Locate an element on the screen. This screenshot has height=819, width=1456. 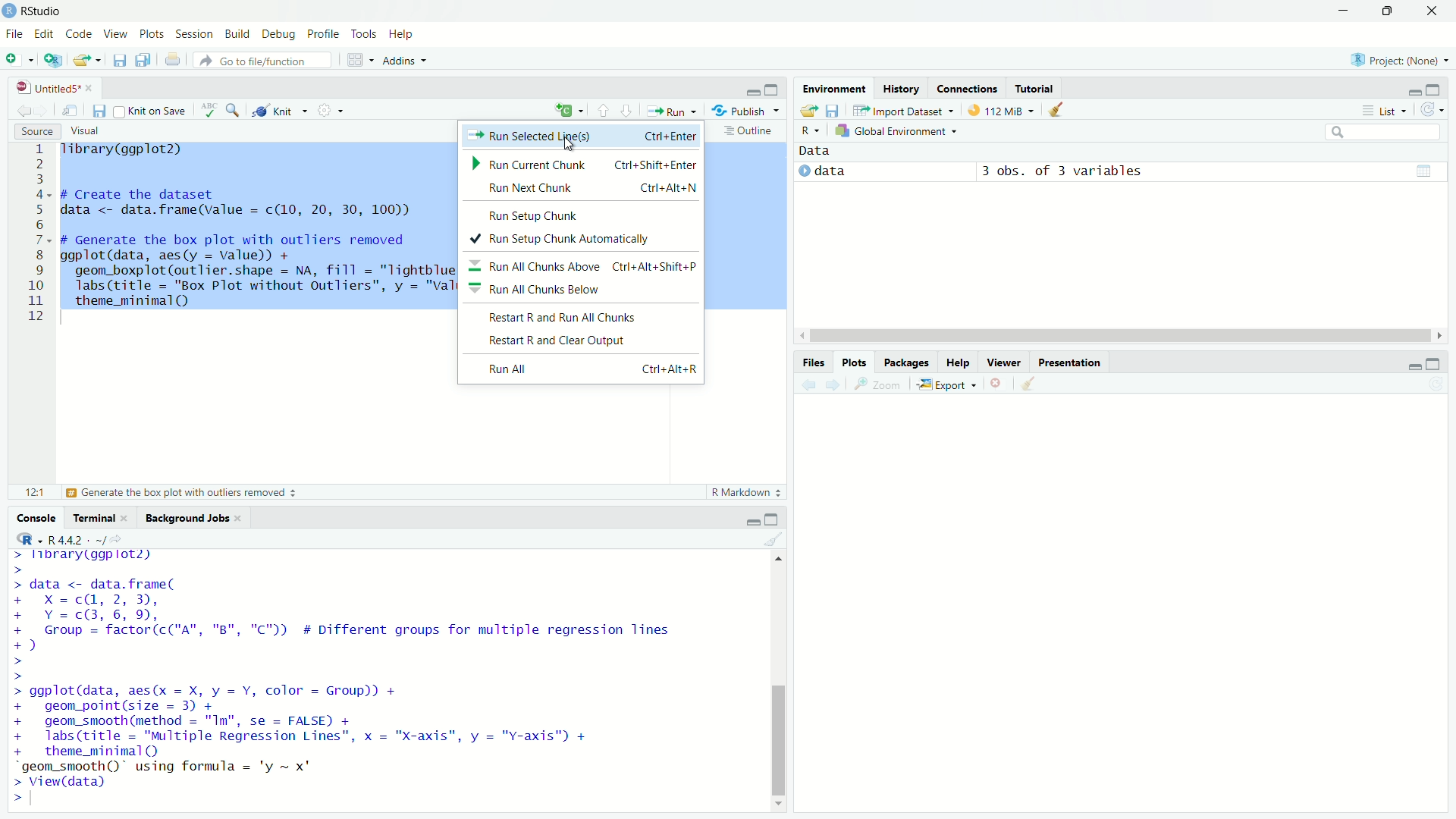
cursor is located at coordinates (573, 147).